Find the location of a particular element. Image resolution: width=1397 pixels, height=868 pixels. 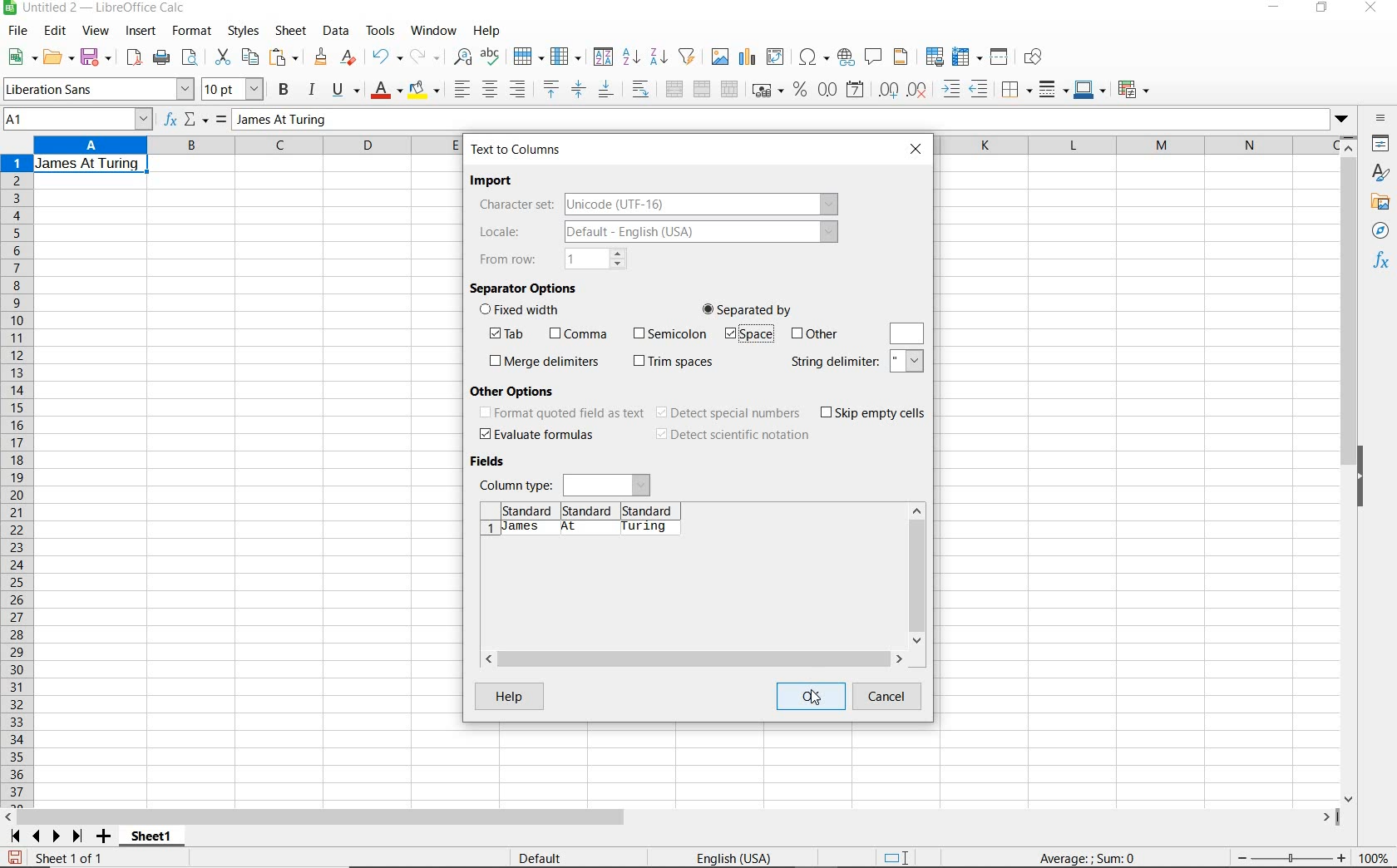

clear direct formatting is located at coordinates (349, 58).